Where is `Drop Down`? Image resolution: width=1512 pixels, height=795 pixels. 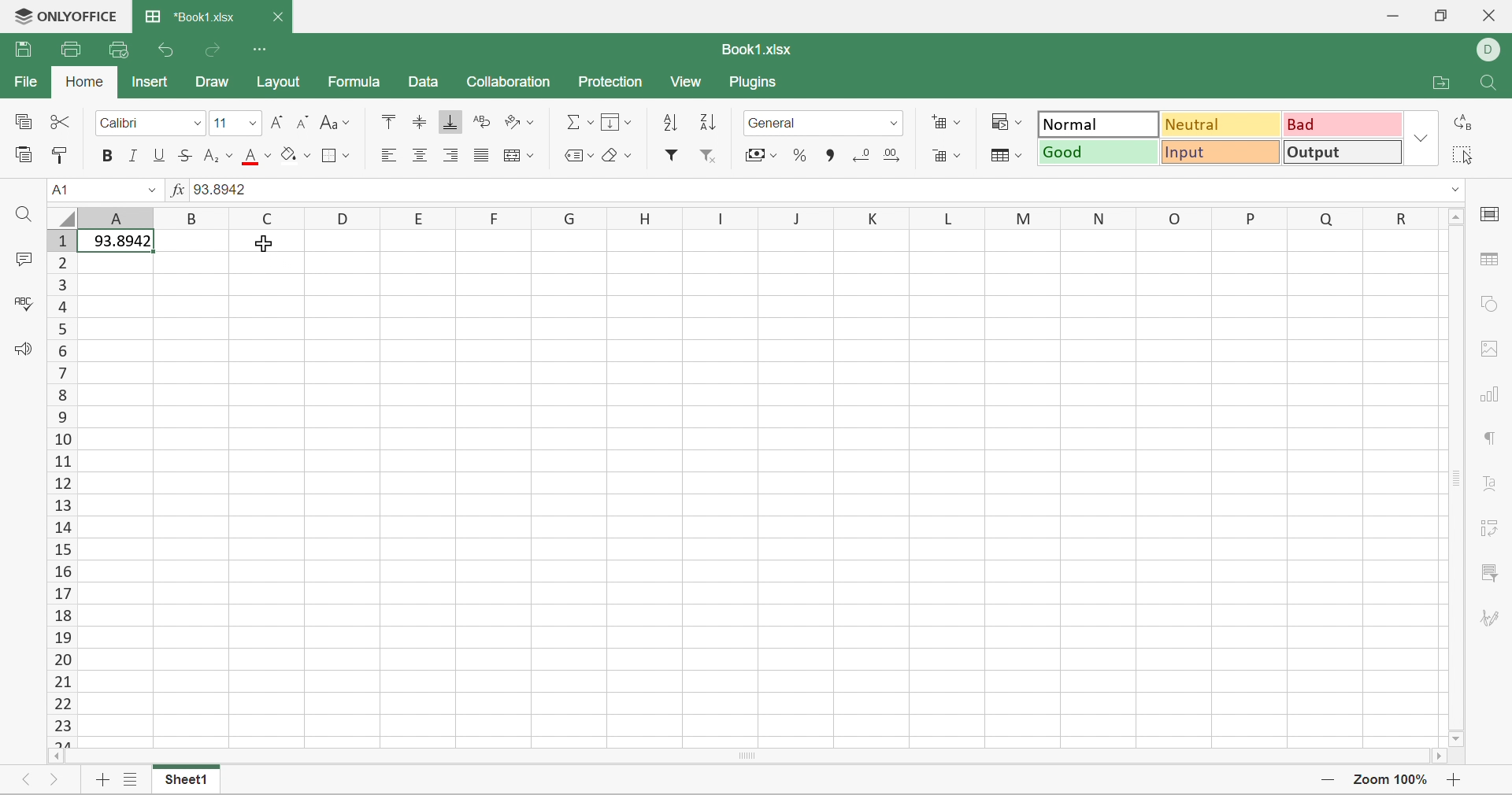
Drop Down is located at coordinates (1453, 190).